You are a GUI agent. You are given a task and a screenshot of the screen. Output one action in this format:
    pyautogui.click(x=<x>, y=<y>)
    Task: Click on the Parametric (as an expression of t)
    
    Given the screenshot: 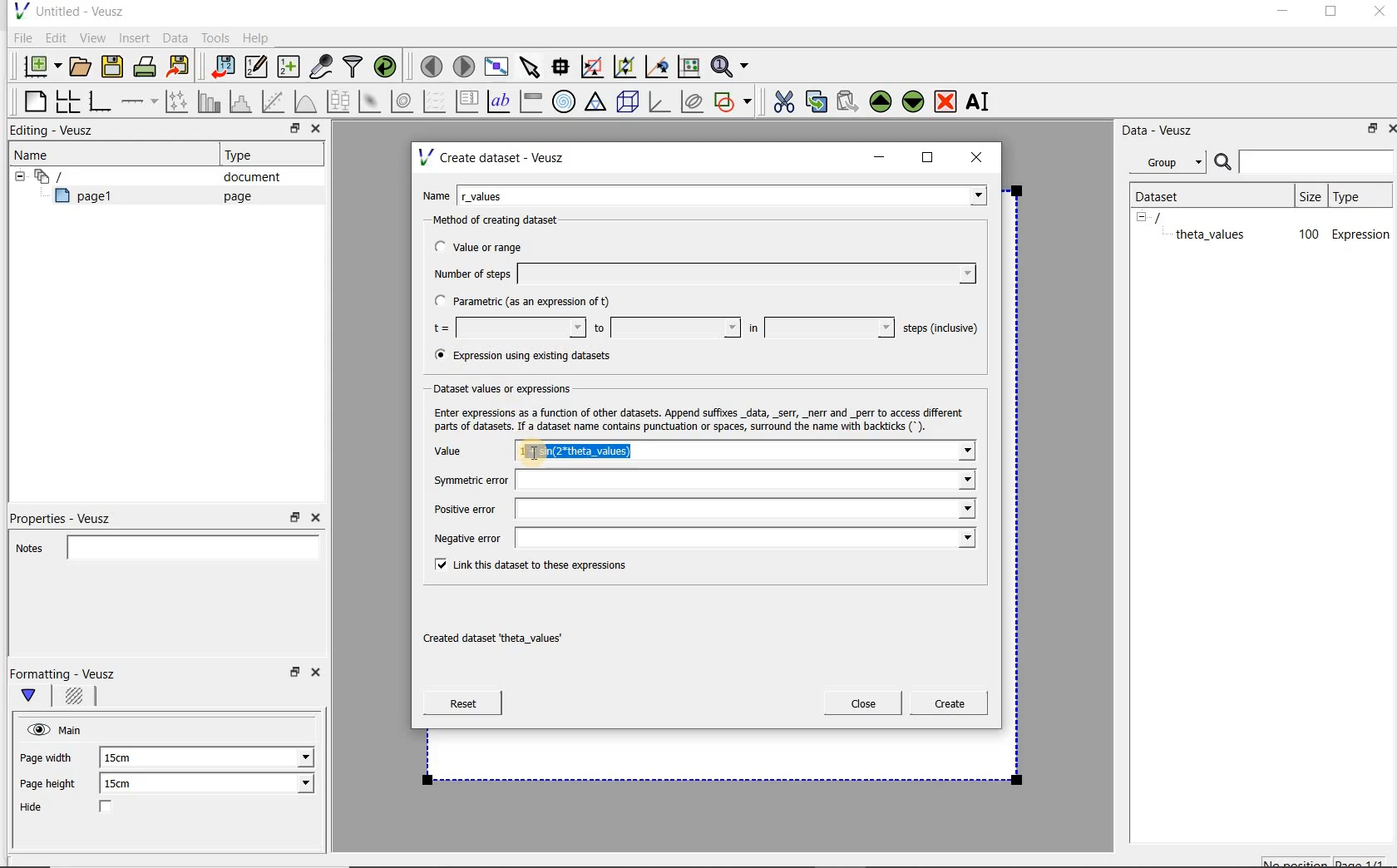 What is the action you would take?
    pyautogui.click(x=530, y=302)
    